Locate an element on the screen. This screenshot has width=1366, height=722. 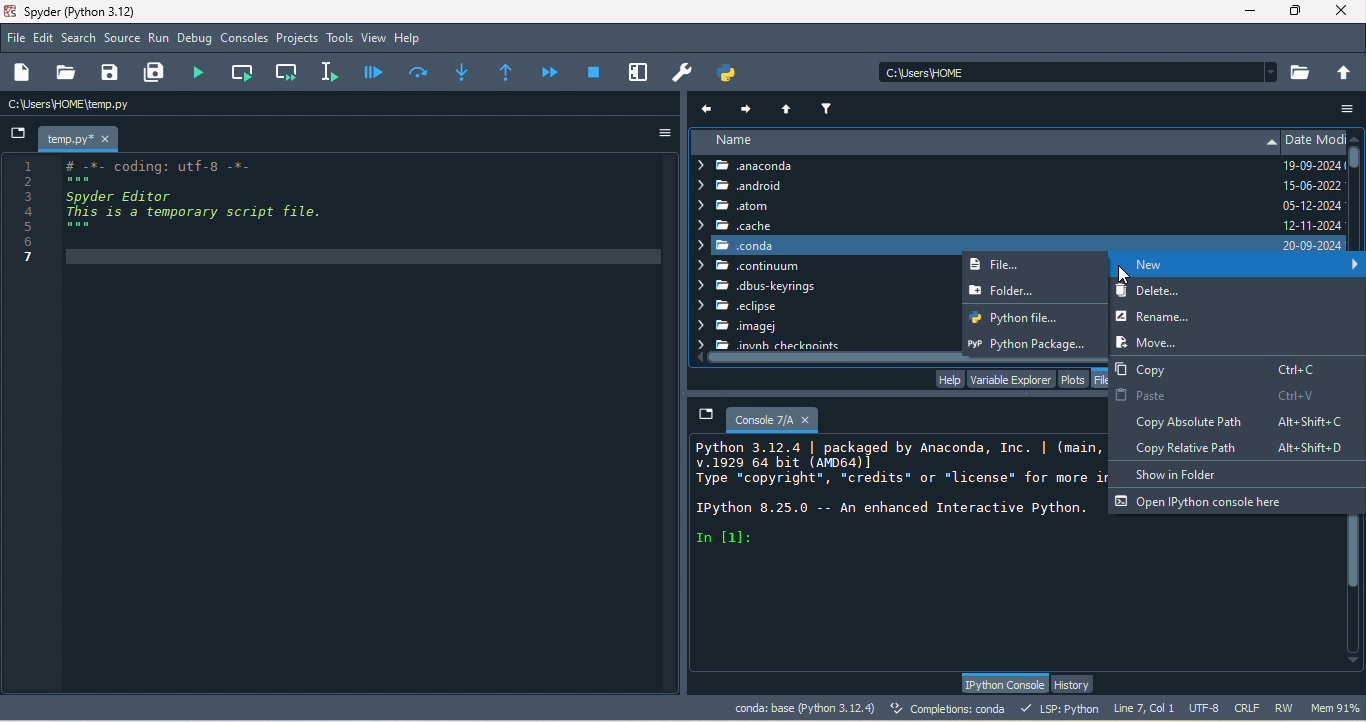
open is located at coordinates (65, 73).